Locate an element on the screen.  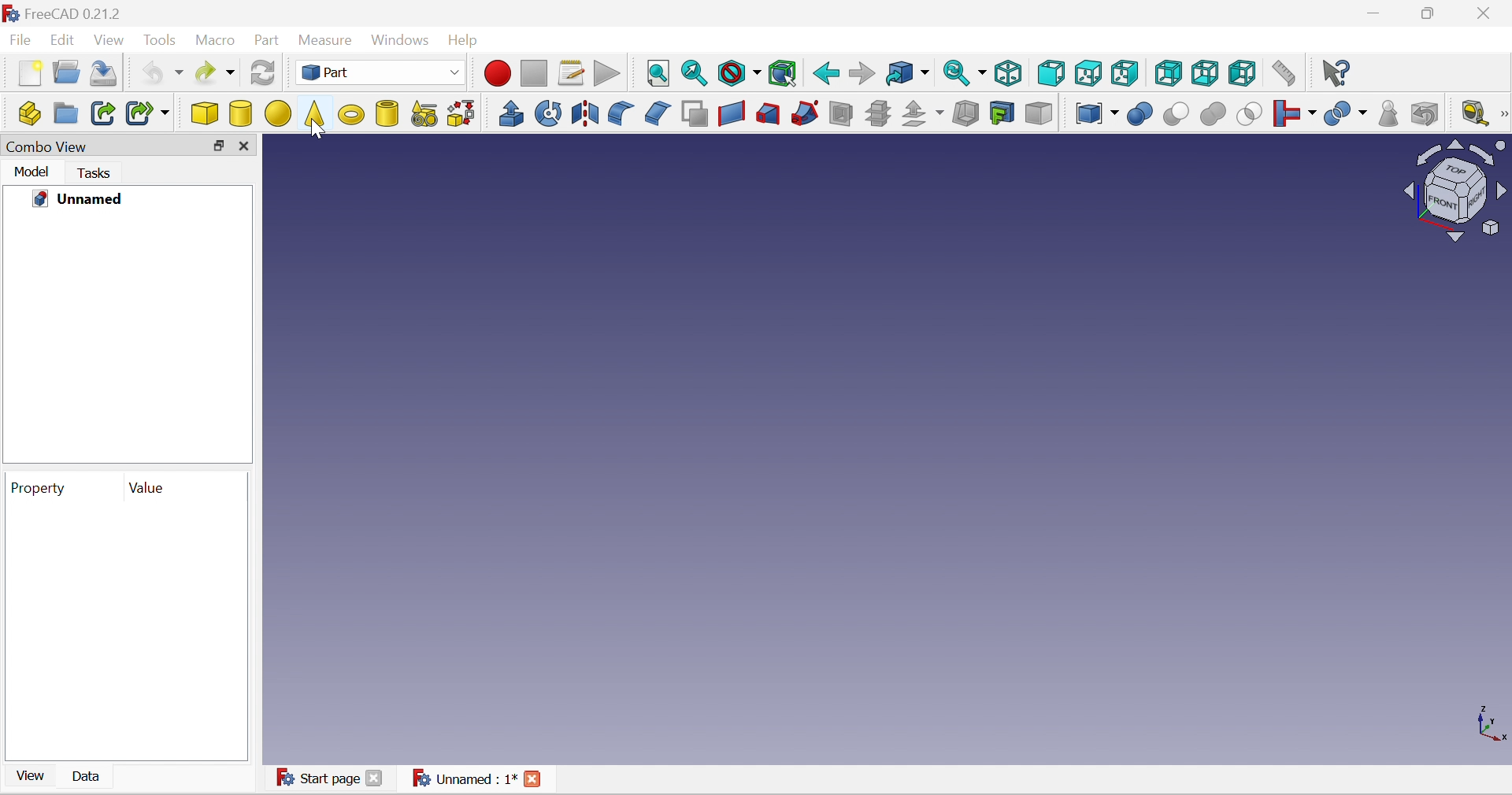
Section is located at coordinates (841, 115).